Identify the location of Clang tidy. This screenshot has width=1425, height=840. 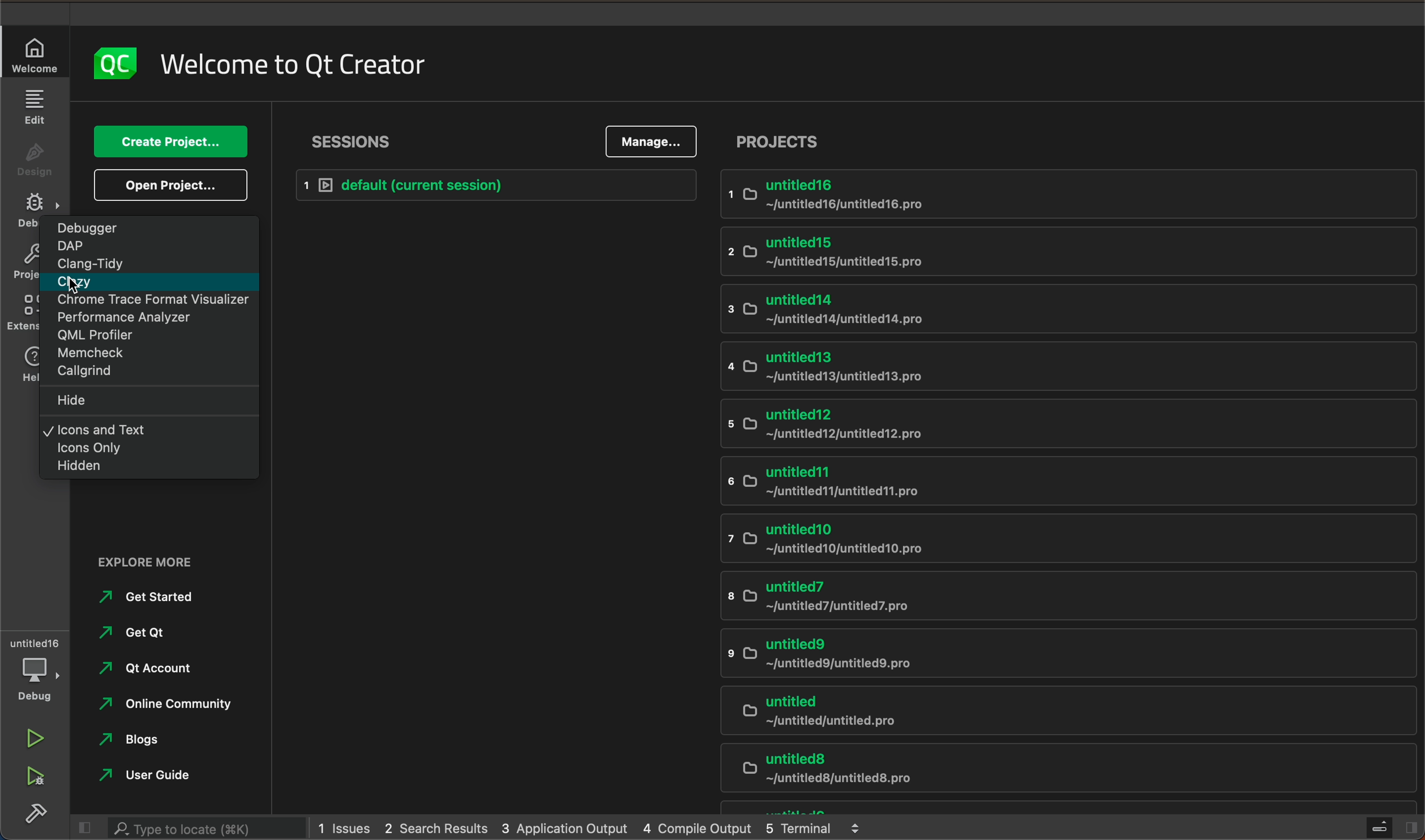
(155, 263).